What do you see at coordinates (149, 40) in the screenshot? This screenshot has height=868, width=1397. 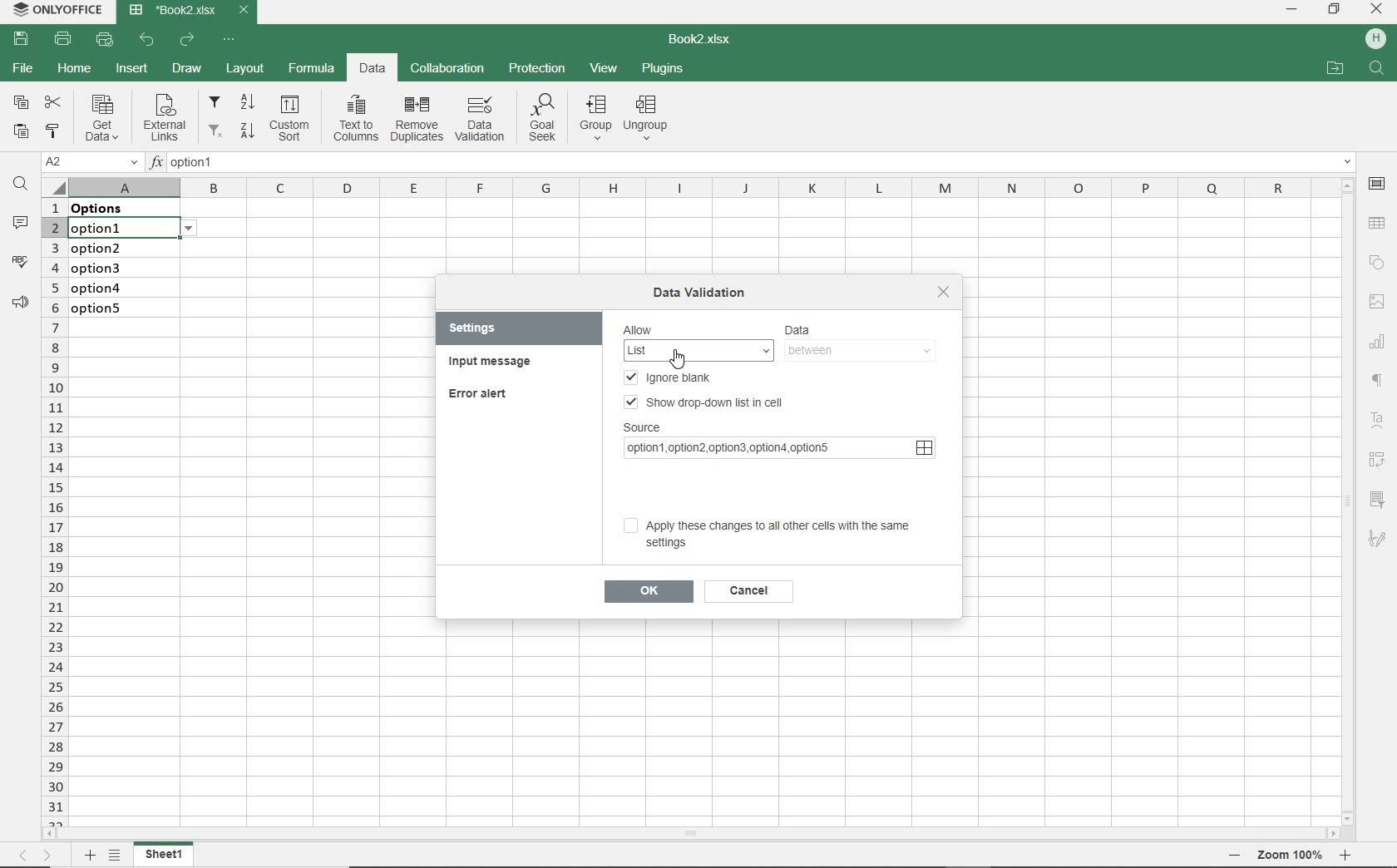 I see `UNDO` at bounding box center [149, 40].